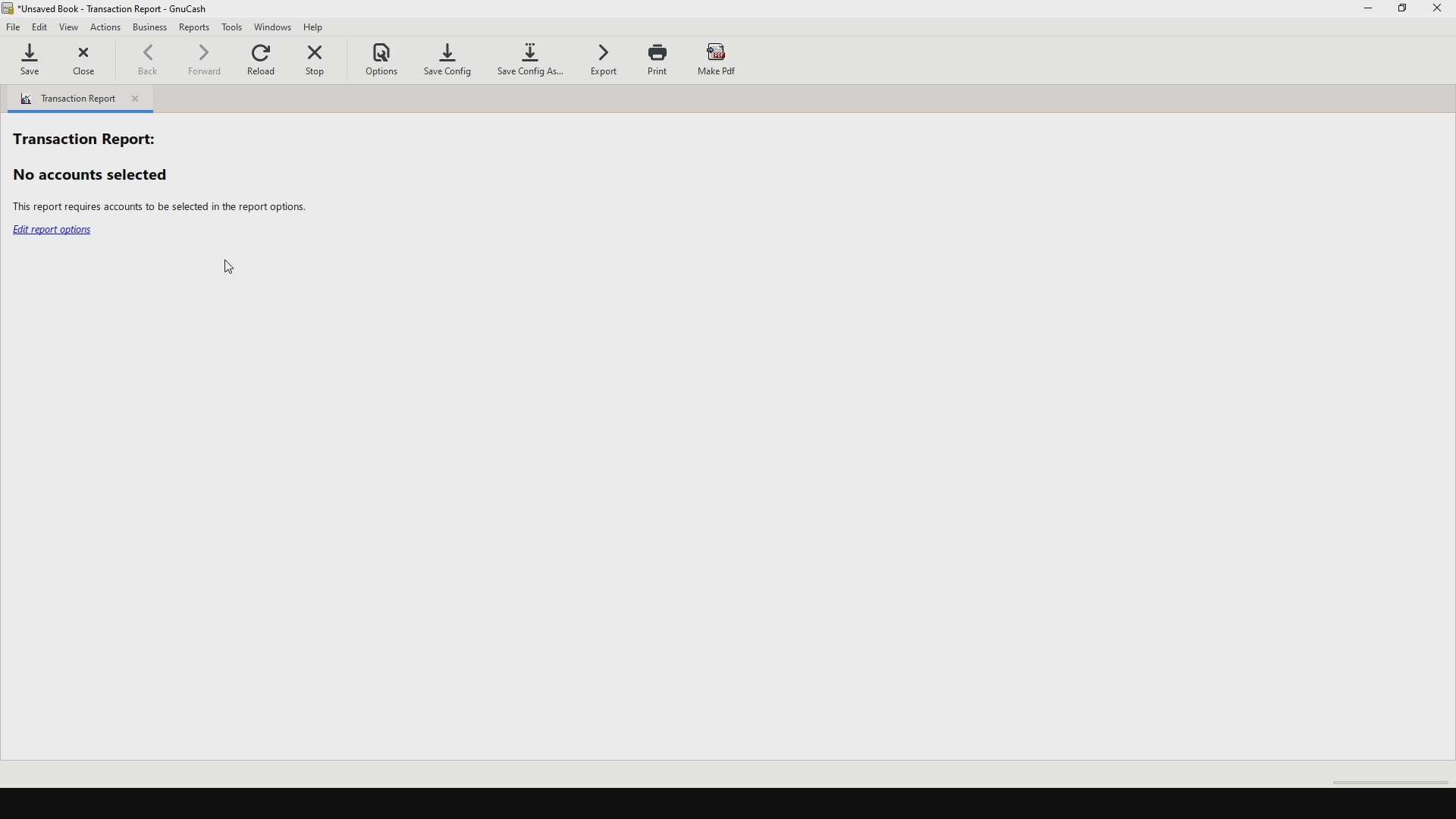 The image size is (1456, 819). I want to click on export, so click(607, 59).